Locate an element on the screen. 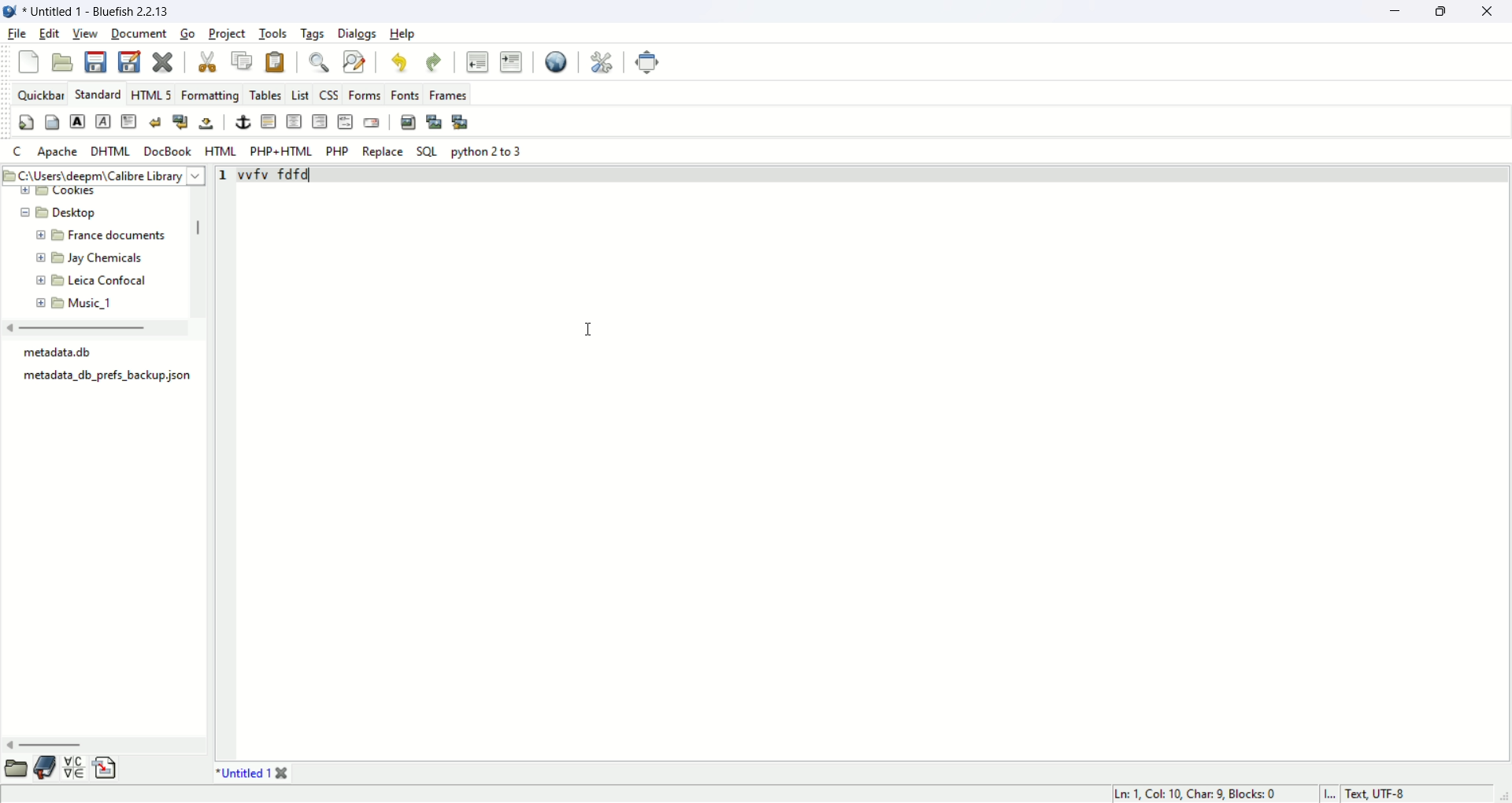  formatting is located at coordinates (210, 93).